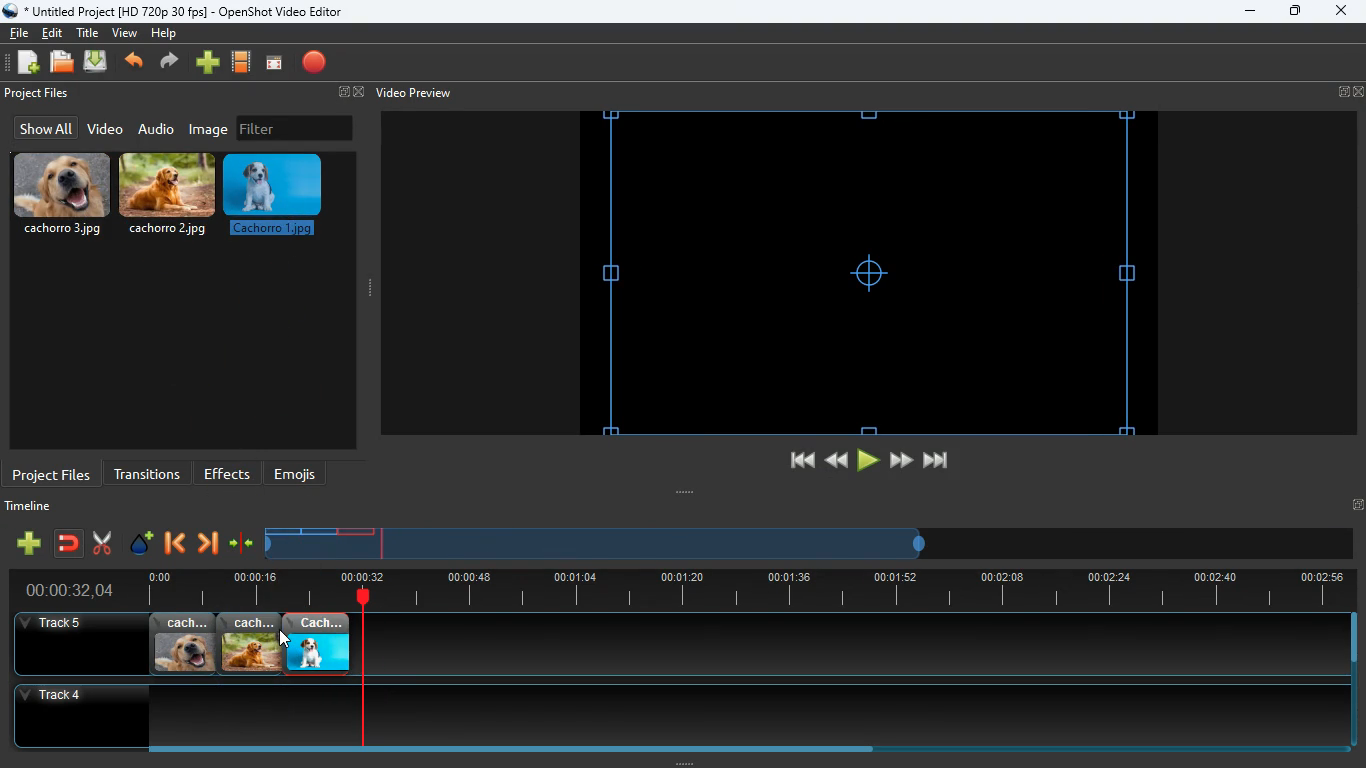 This screenshot has width=1366, height=768. I want to click on Image 3 timeline, so click(362, 531).